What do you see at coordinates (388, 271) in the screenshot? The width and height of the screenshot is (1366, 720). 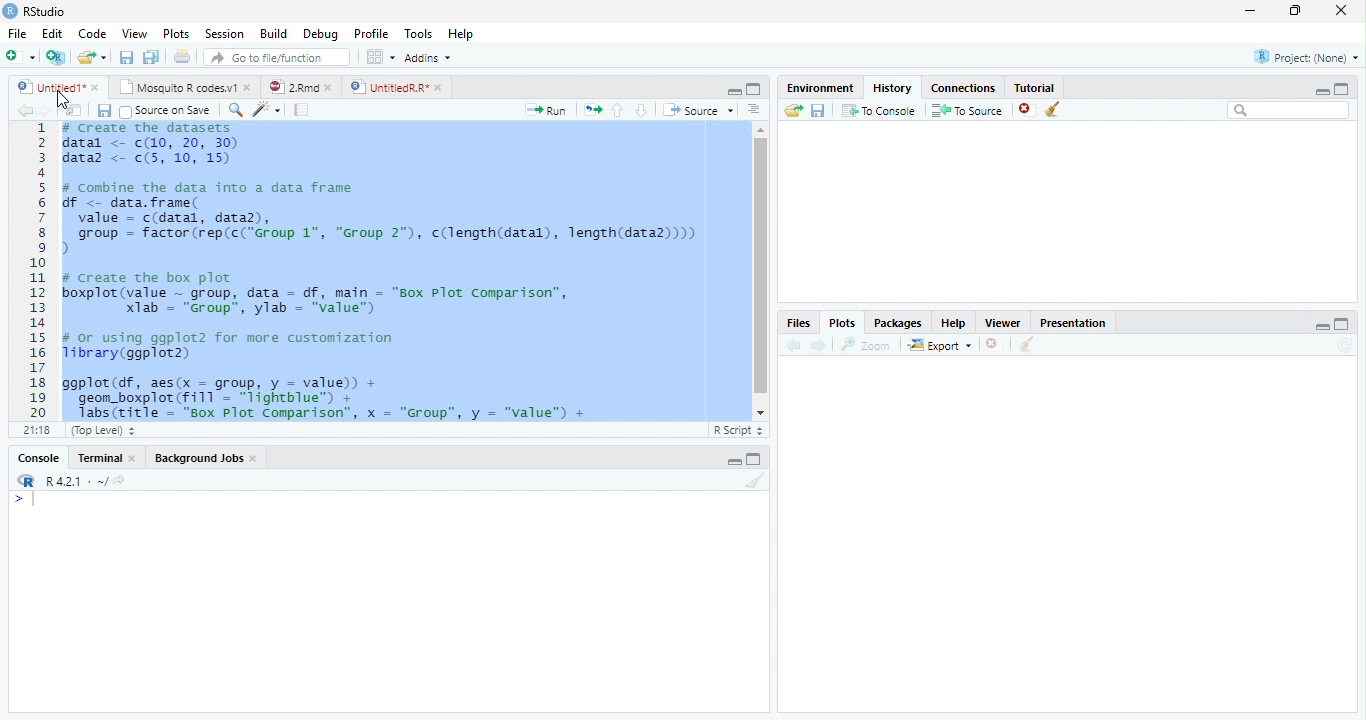 I see `# Create the datasets
datal <- (10, 20, 30)
data2 <- c(5, 10, 15)
# Combine the data into a data frame
of <- data.frame(
value = c(datal, data2),
group = factor (rep(c("Group 1", "Group 2"), c(length(datal), length(data2))))
)
# Create the box plot
boxplot (value ~ group, data = df, main = “Box Plot Comparison”,
x1ab = “Group”, ylab = "Value")
# or using ggplot2 for more customization
Tibrary(ggplot2)
|
9gplot (df, aes(x = group, y = value) +
‘geom_boxplot (F111 = "Tightblue™) +
Jabs(title = "Box Plot Comparison”, x = "Group™, y = "value™) +` at bounding box center [388, 271].